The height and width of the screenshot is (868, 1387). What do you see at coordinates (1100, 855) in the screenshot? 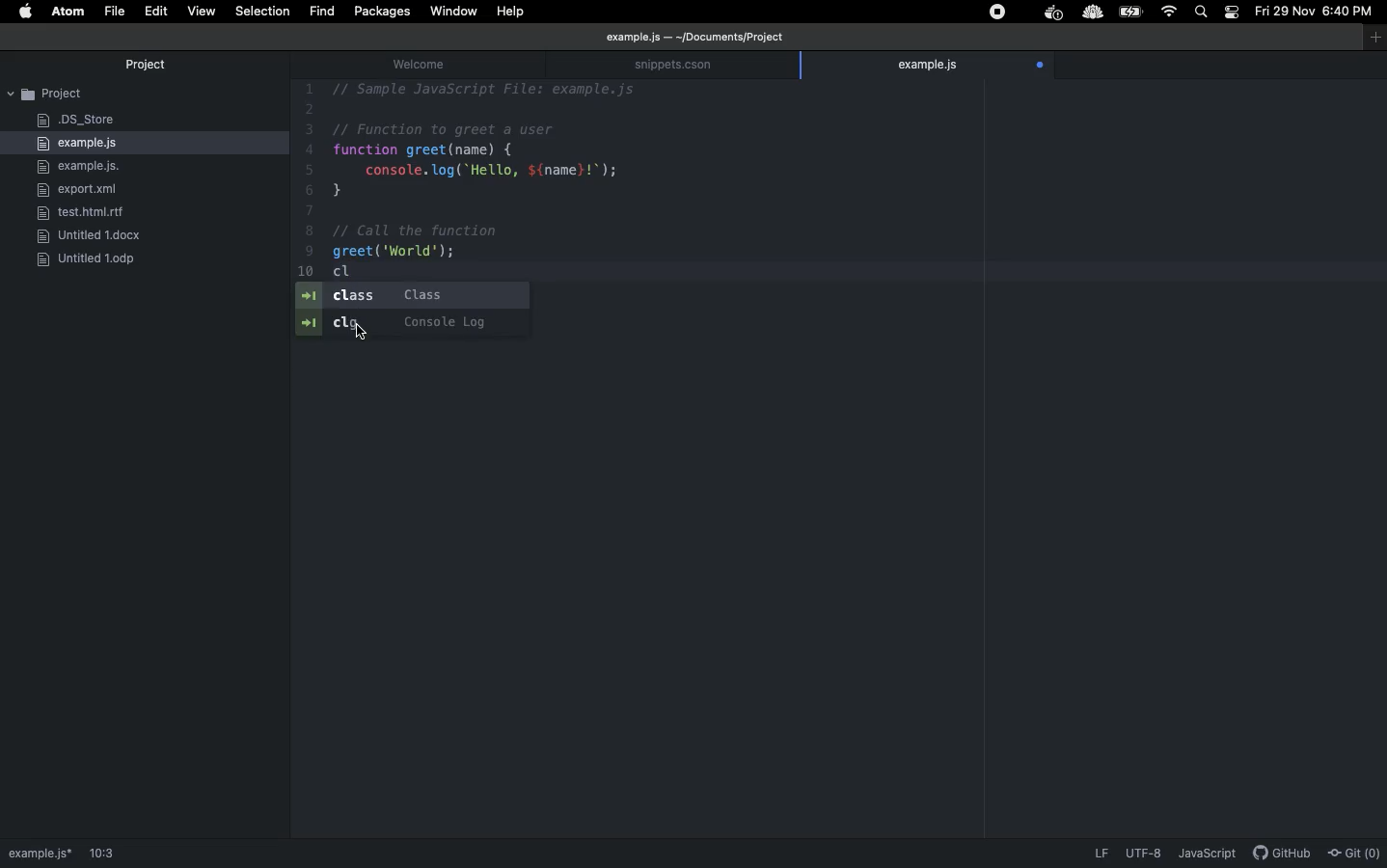
I see `LF` at bounding box center [1100, 855].